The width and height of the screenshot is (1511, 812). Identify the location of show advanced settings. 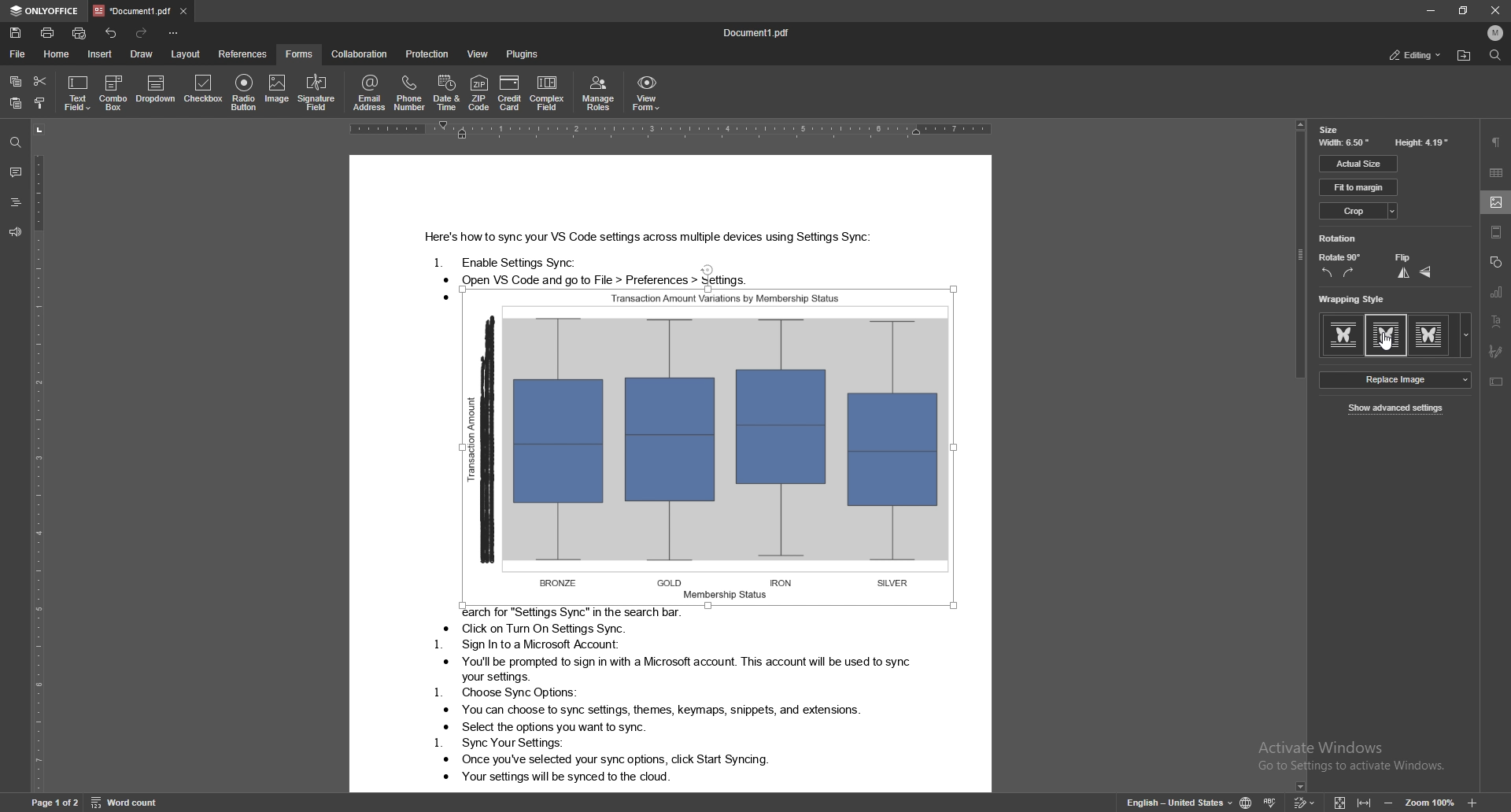
(1395, 409).